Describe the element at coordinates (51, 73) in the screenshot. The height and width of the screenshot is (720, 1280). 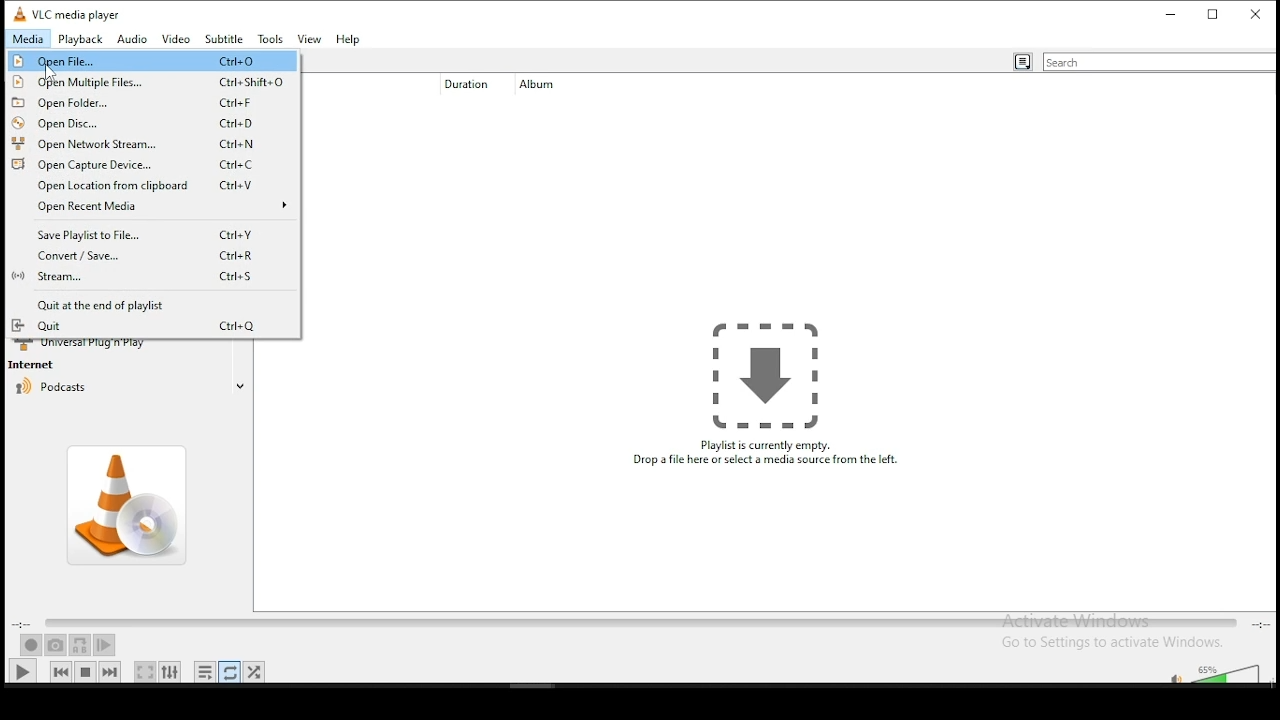
I see `cursor` at that location.